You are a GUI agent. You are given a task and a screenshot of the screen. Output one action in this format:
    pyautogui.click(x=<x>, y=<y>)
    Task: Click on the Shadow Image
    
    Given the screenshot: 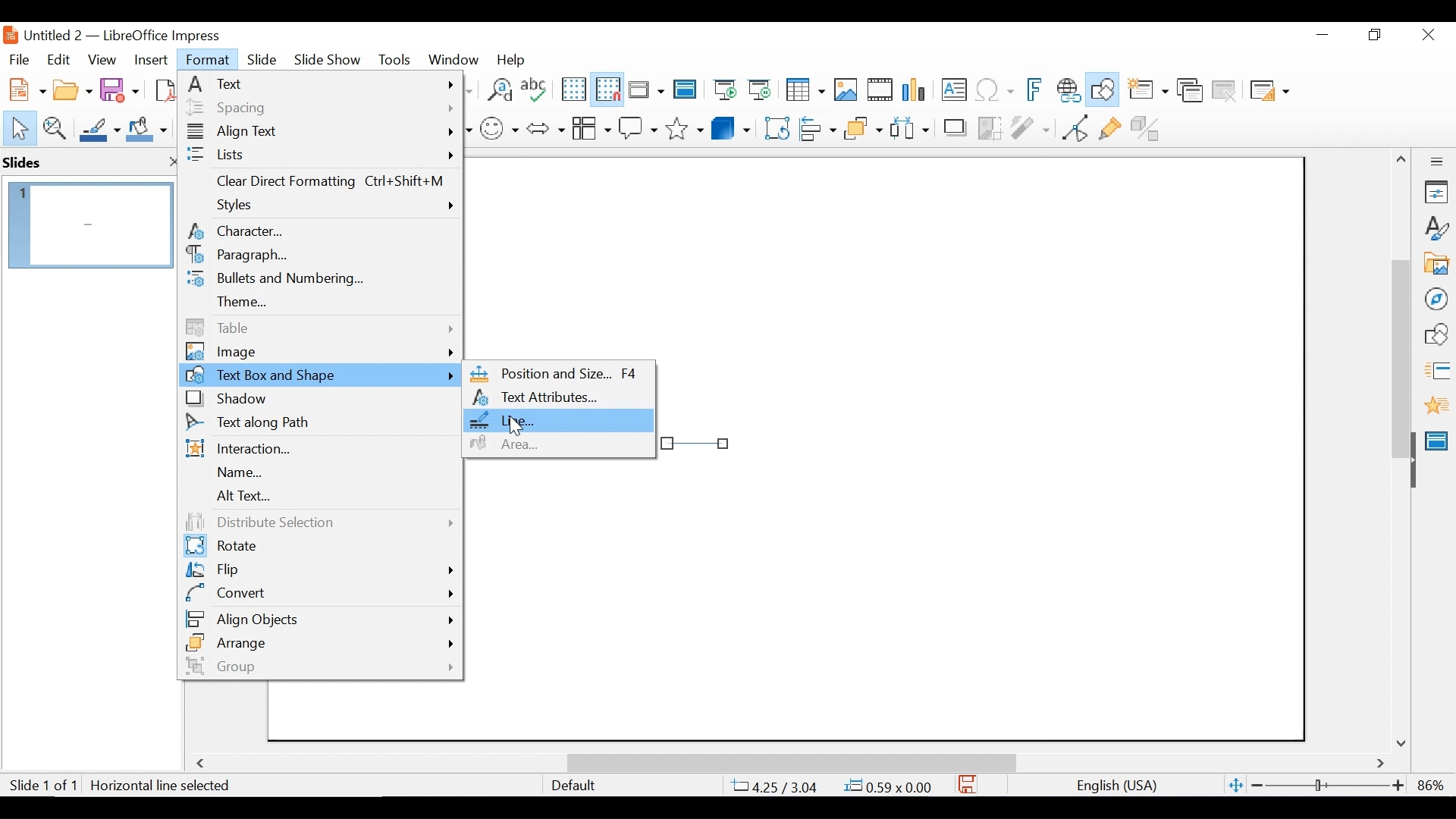 What is the action you would take?
    pyautogui.click(x=956, y=127)
    